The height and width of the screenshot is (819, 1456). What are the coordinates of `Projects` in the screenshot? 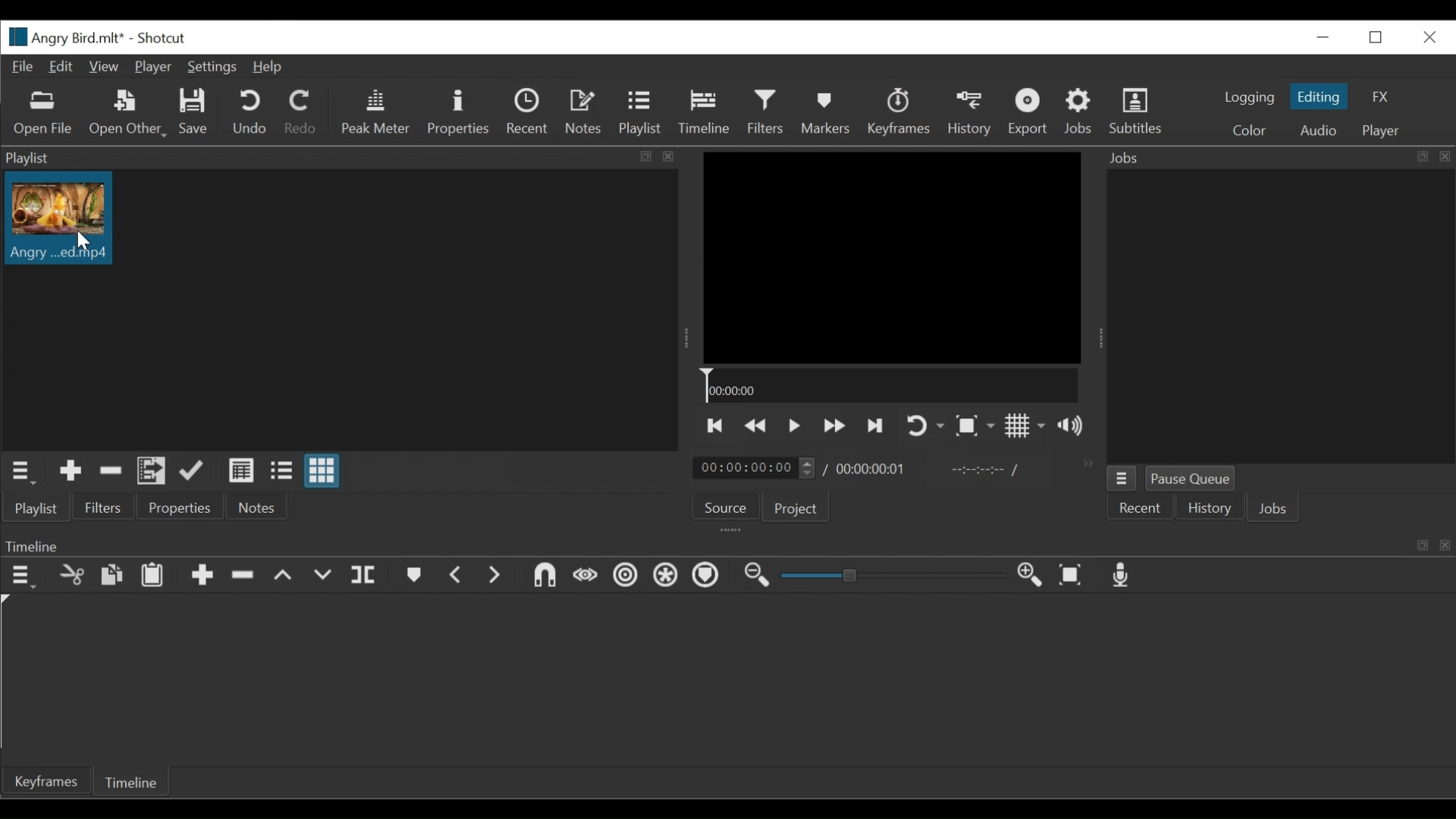 It's located at (797, 507).